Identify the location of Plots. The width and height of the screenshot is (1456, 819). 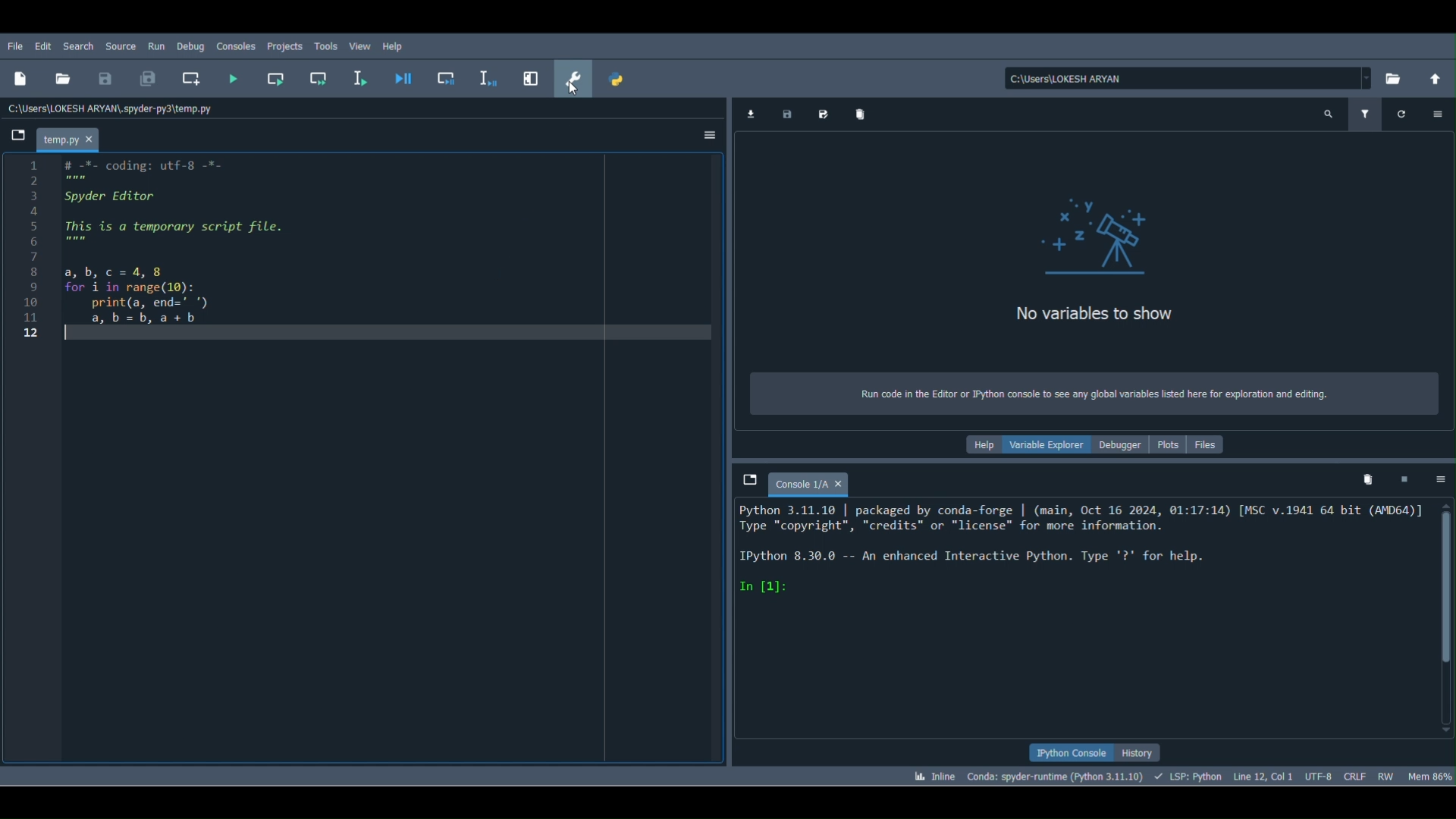
(1169, 444).